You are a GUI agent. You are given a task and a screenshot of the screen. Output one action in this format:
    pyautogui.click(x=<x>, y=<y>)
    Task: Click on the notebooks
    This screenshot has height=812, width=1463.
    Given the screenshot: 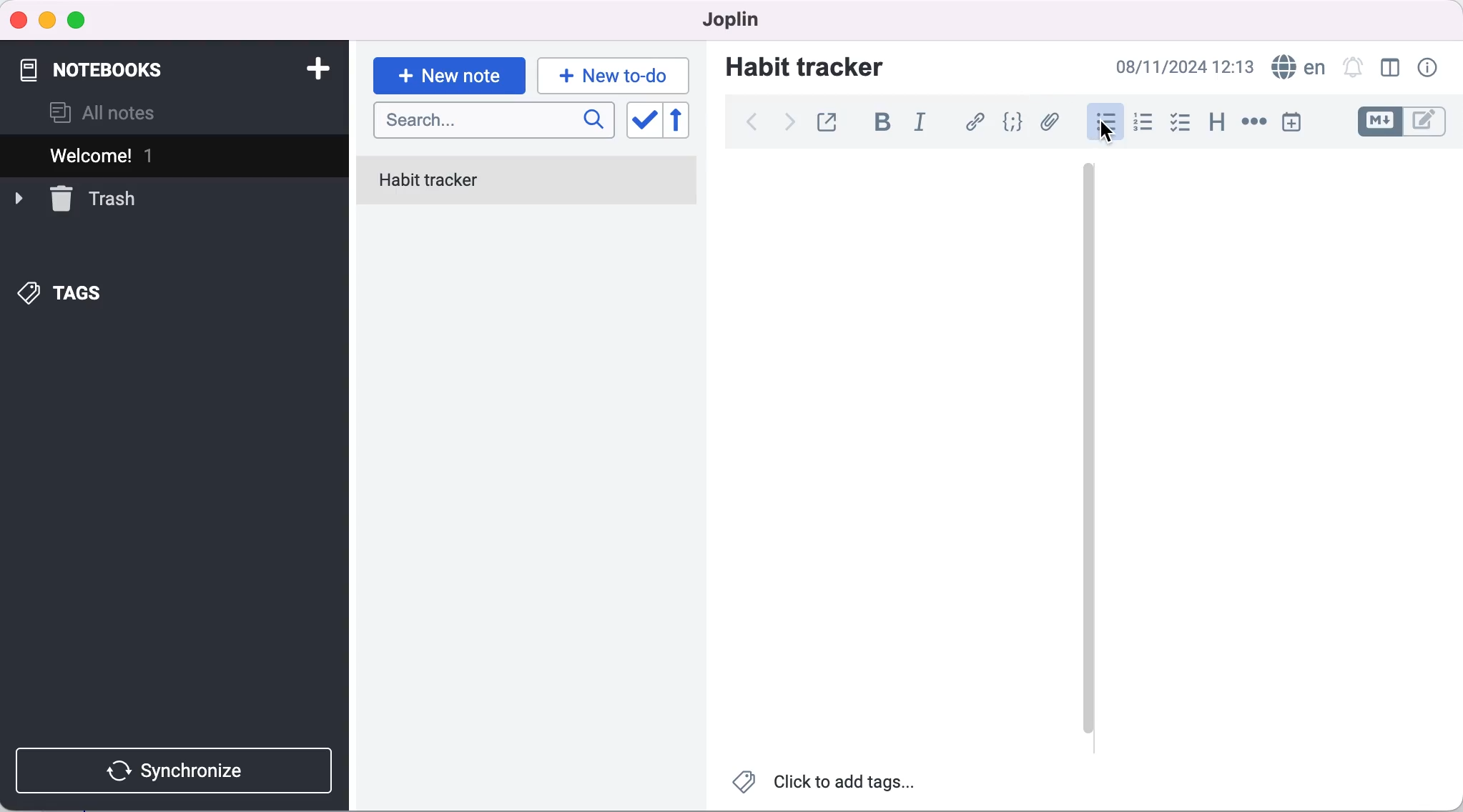 What is the action you would take?
    pyautogui.click(x=114, y=63)
    